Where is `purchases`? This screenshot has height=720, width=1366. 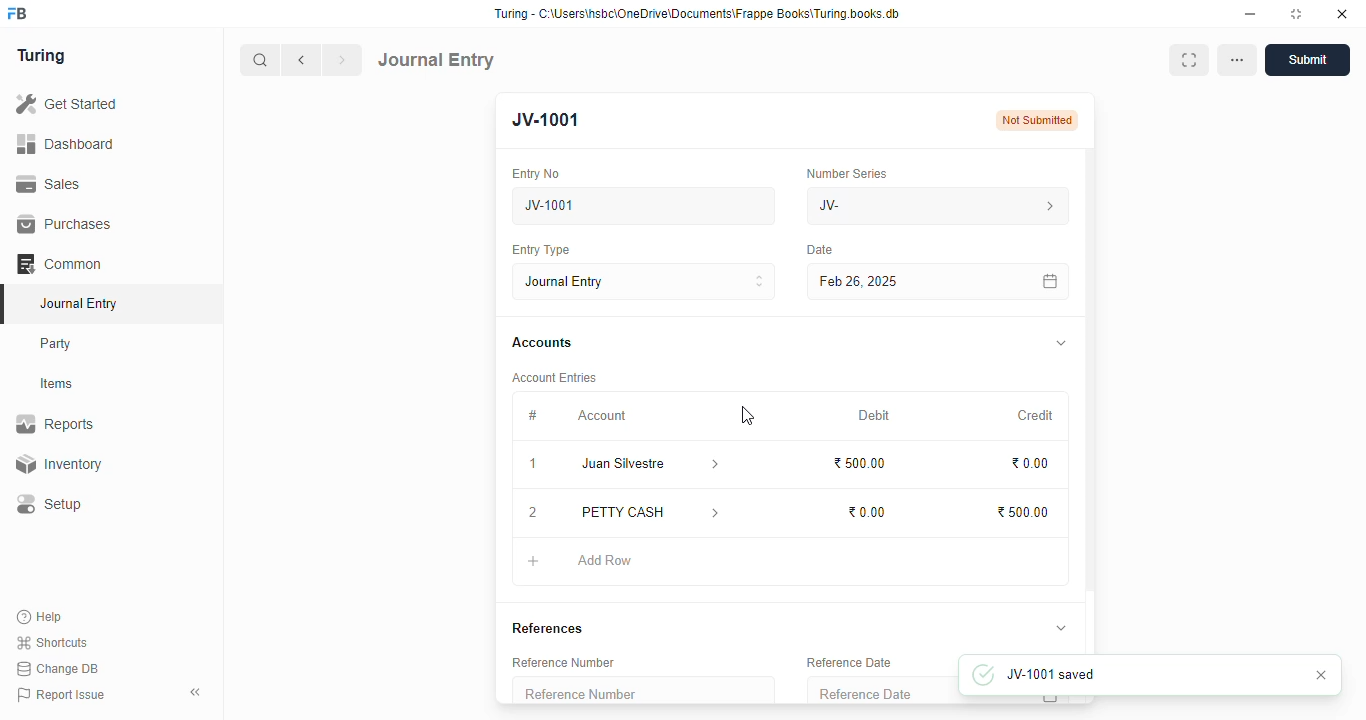 purchases is located at coordinates (64, 224).